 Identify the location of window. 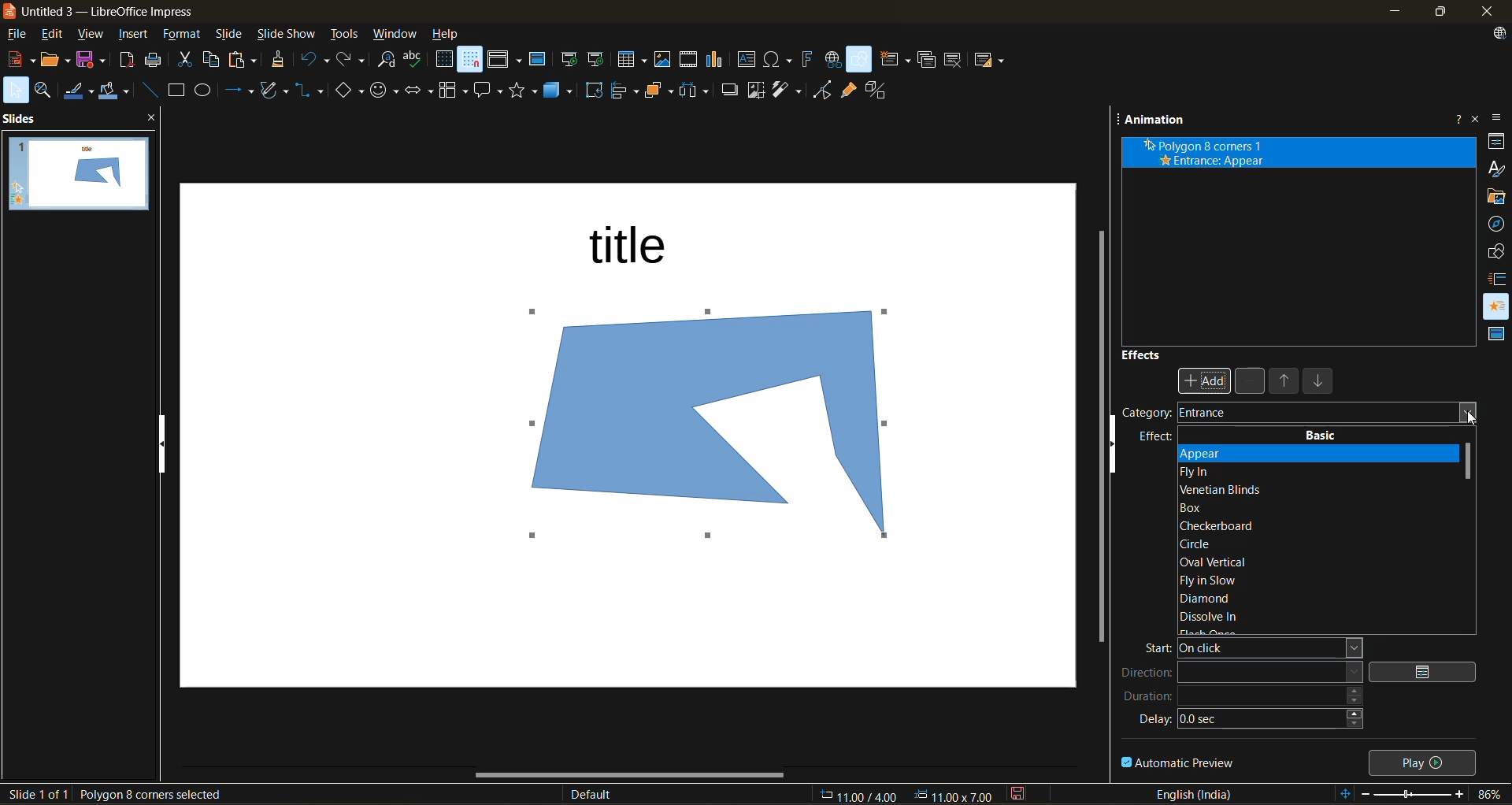
(395, 35).